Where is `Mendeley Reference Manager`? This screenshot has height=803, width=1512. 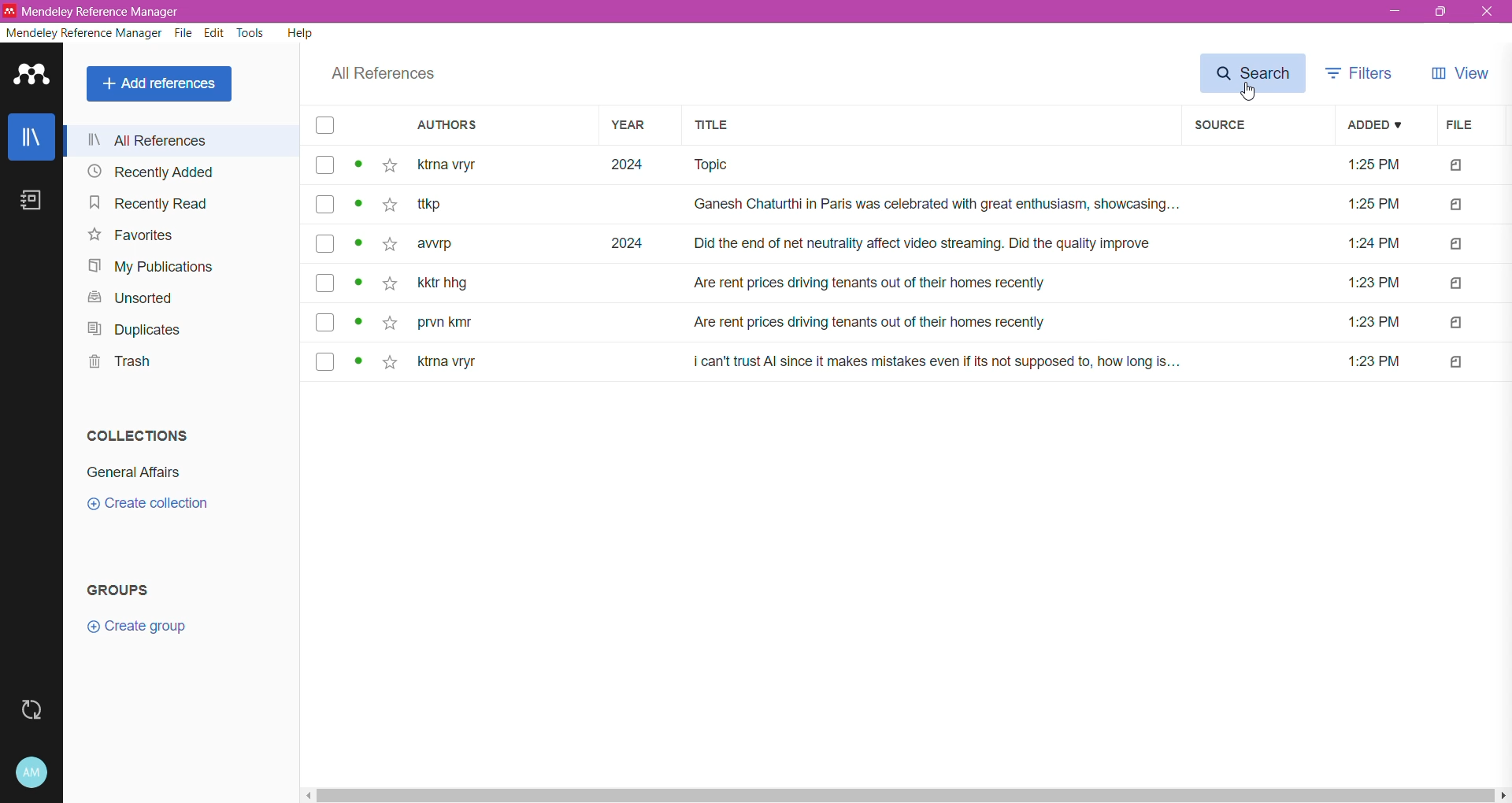 Mendeley Reference Manager is located at coordinates (81, 32).